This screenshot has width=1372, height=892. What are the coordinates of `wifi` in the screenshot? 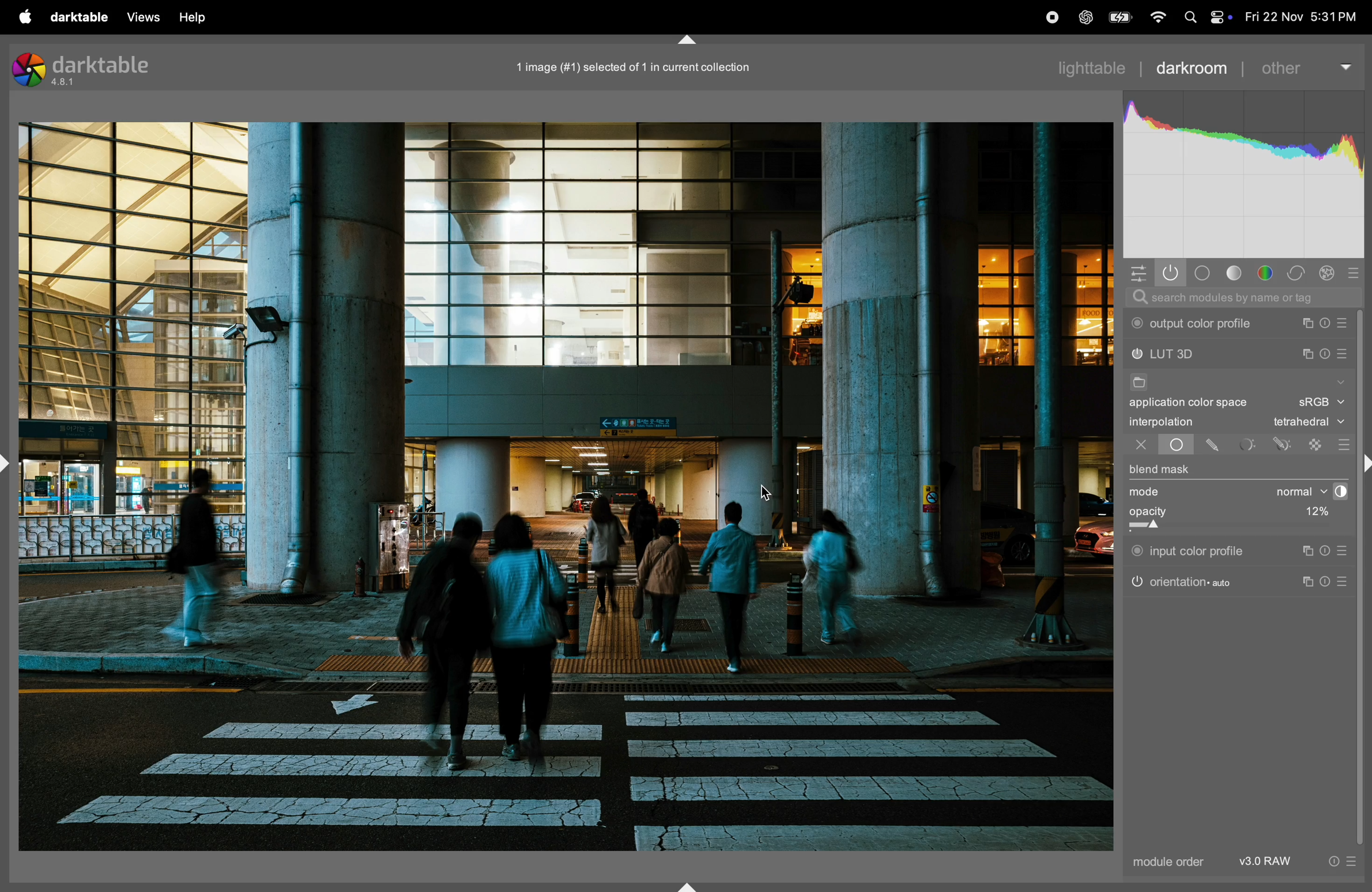 It's located at (1156, 18).